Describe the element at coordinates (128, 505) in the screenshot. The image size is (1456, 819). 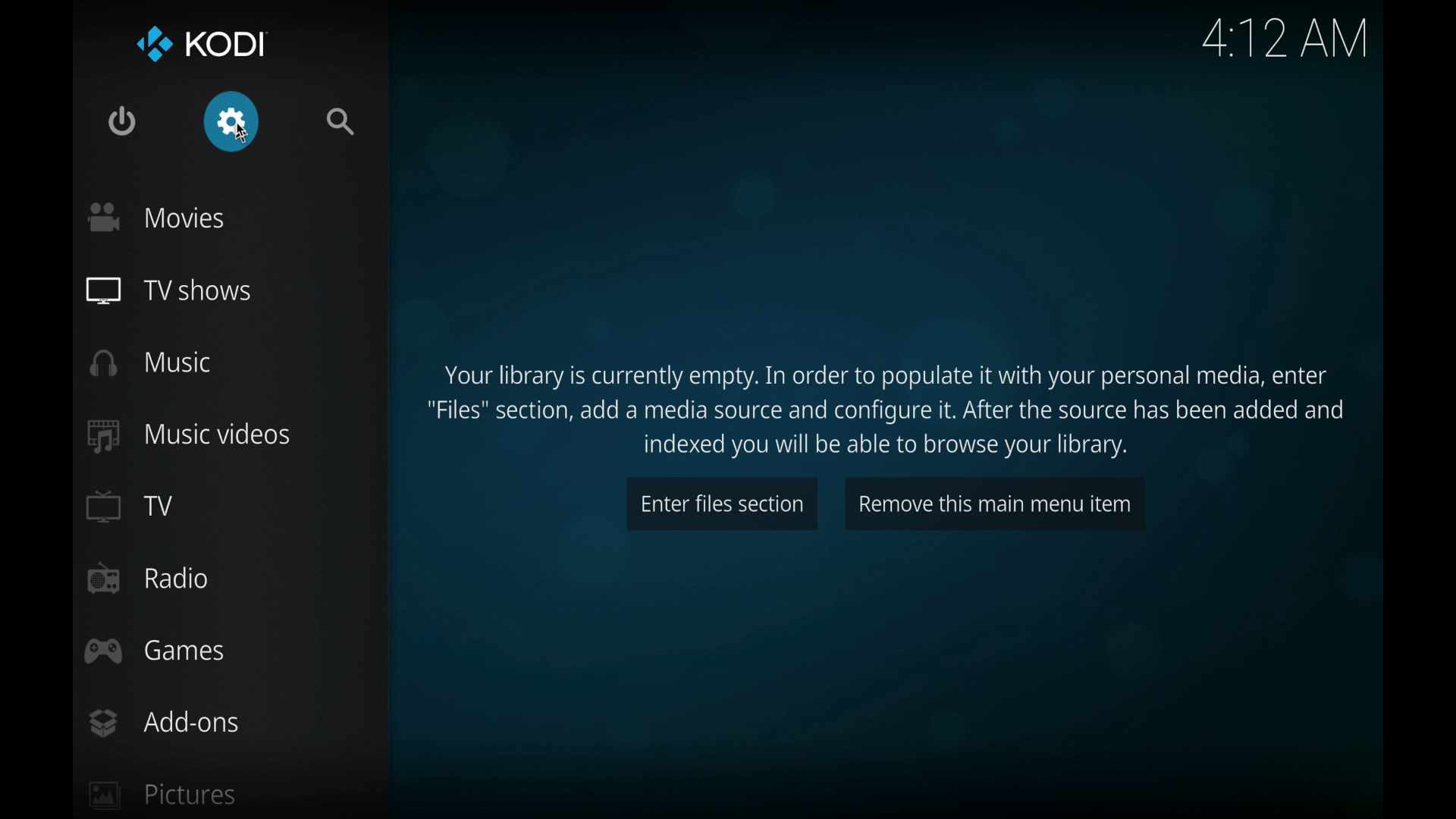
I see `TV` at that location.